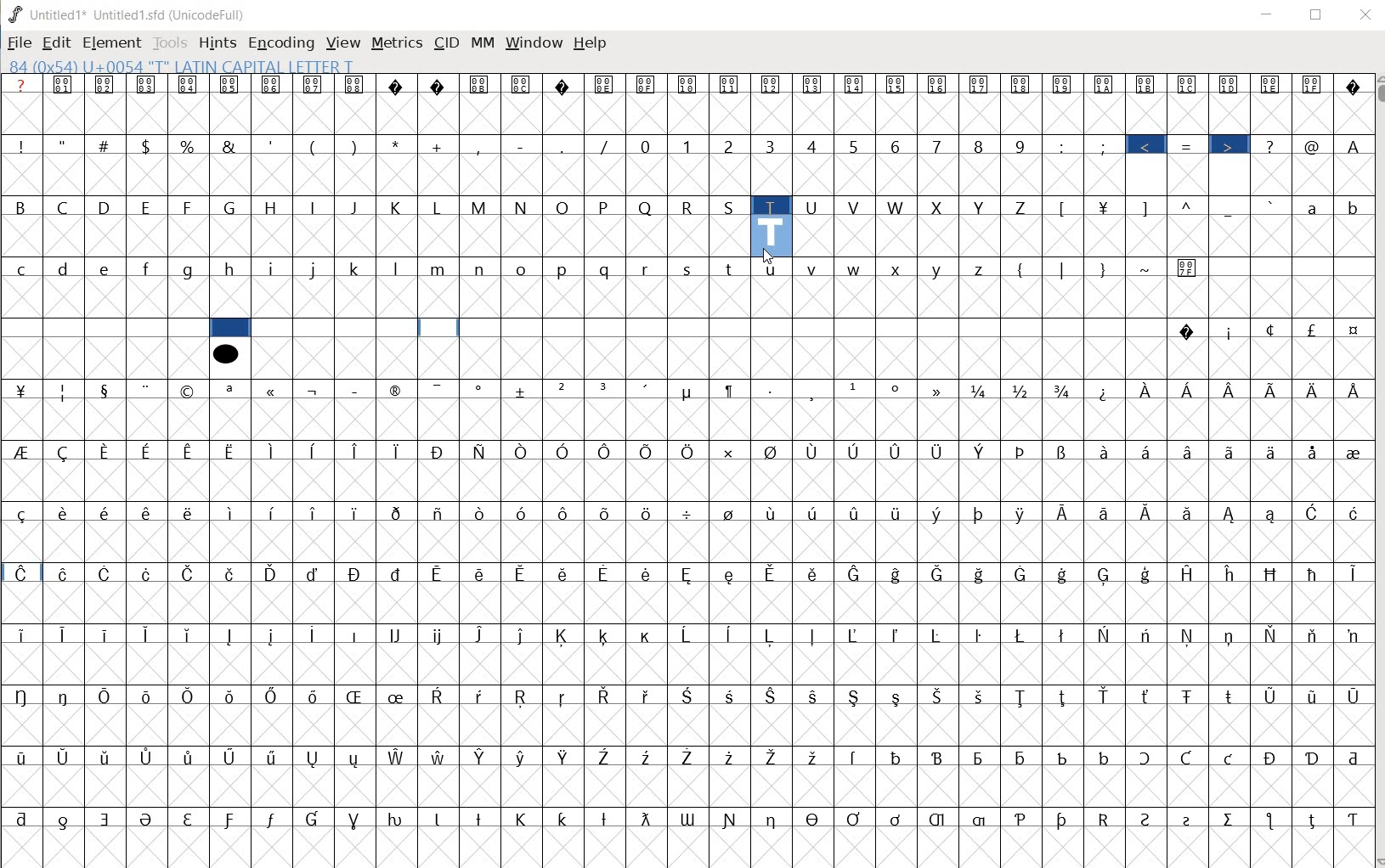 This screenshot has width=1385, height=868. I want to click on Symbol, so click(523, 757).